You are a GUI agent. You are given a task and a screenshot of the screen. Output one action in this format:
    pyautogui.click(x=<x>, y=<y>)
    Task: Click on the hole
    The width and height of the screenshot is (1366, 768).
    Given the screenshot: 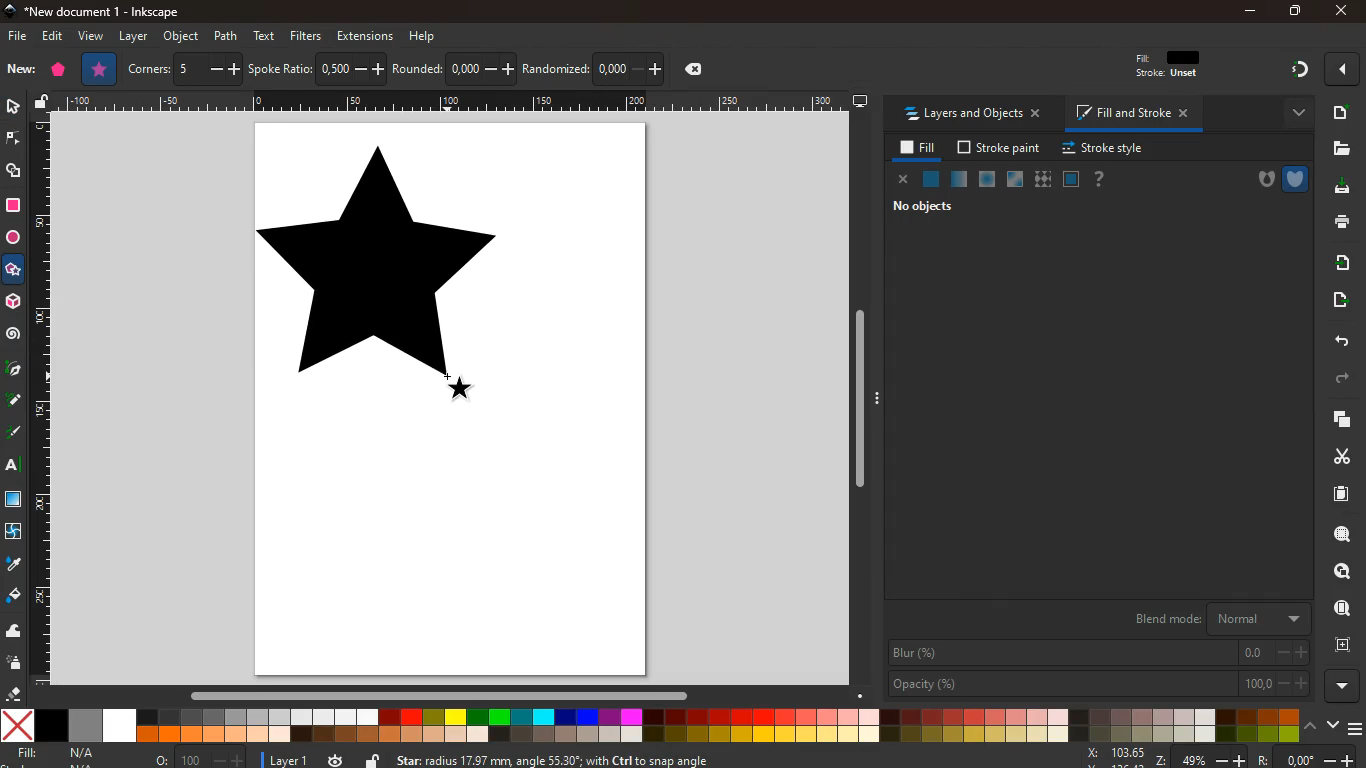 What is the action you would take?
    pyautogui.click(x=1259, y=180)
    